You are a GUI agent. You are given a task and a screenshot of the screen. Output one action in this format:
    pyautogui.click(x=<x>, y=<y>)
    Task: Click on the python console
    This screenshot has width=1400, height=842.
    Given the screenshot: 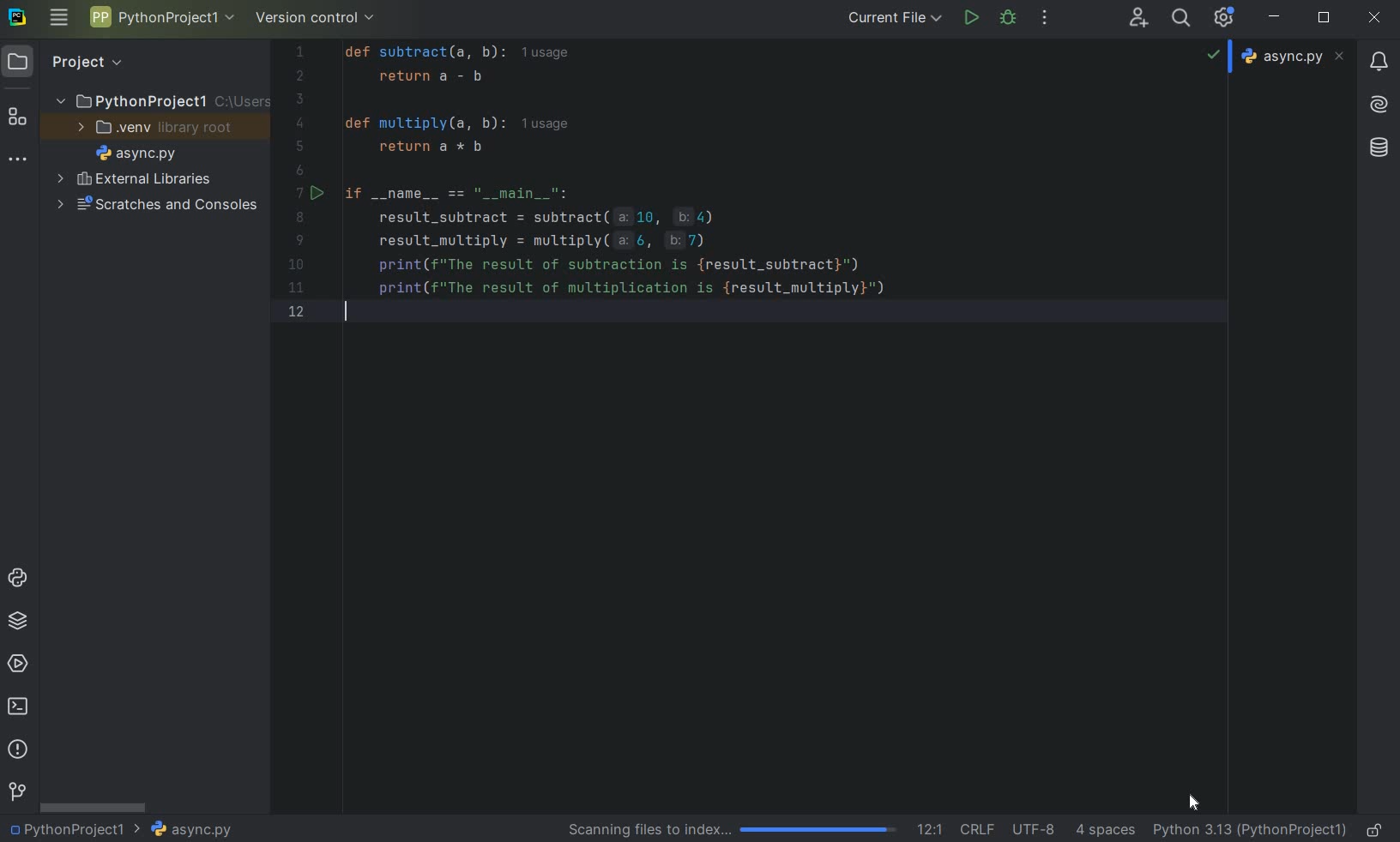 What is the action you would take?
    pyautogui.click(x=19, y=580)
    